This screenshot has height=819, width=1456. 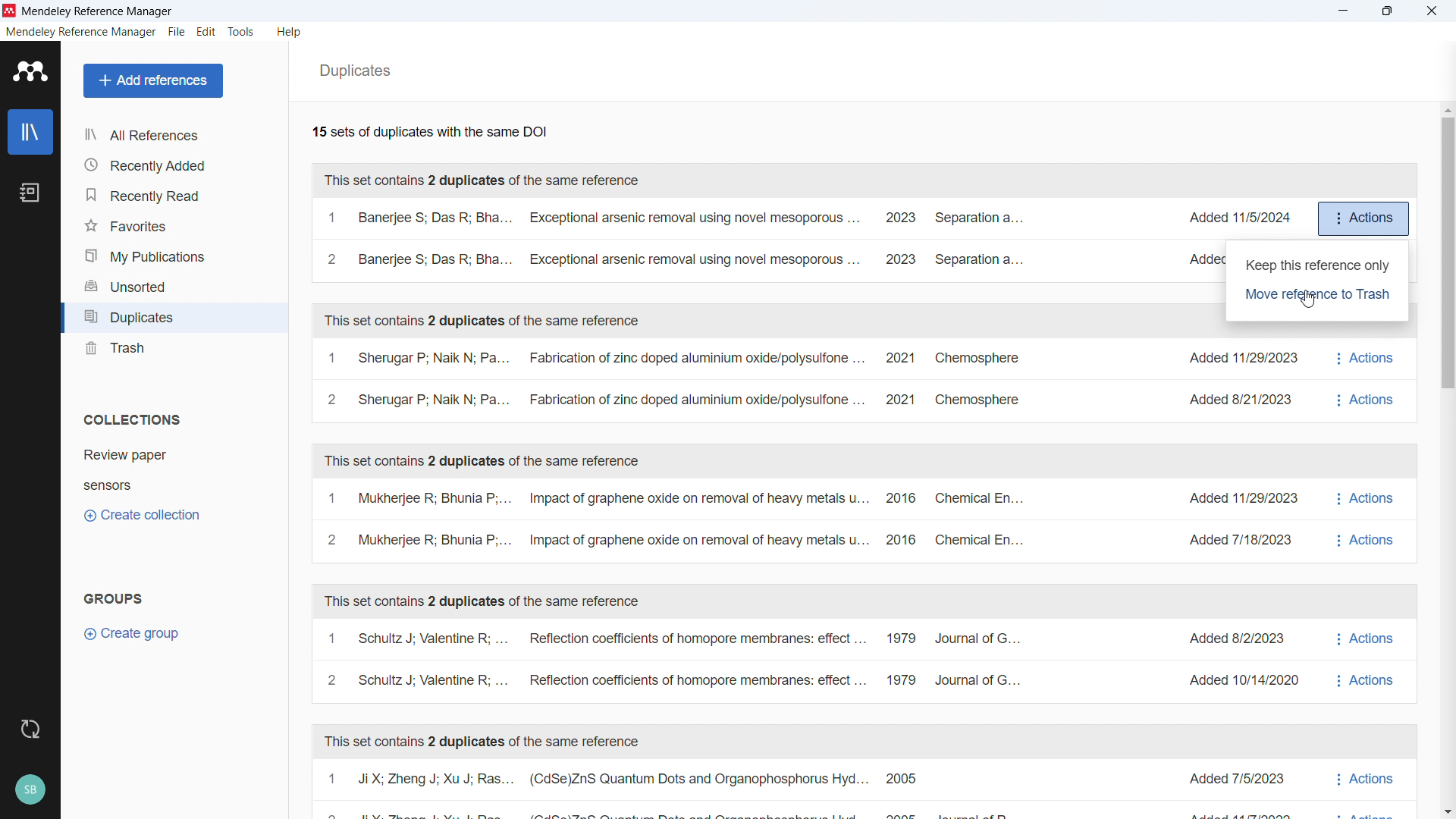 What do you see at coordinates (30, 71) in the screenshot?
I see `logo` at bounding box center [30, 71].